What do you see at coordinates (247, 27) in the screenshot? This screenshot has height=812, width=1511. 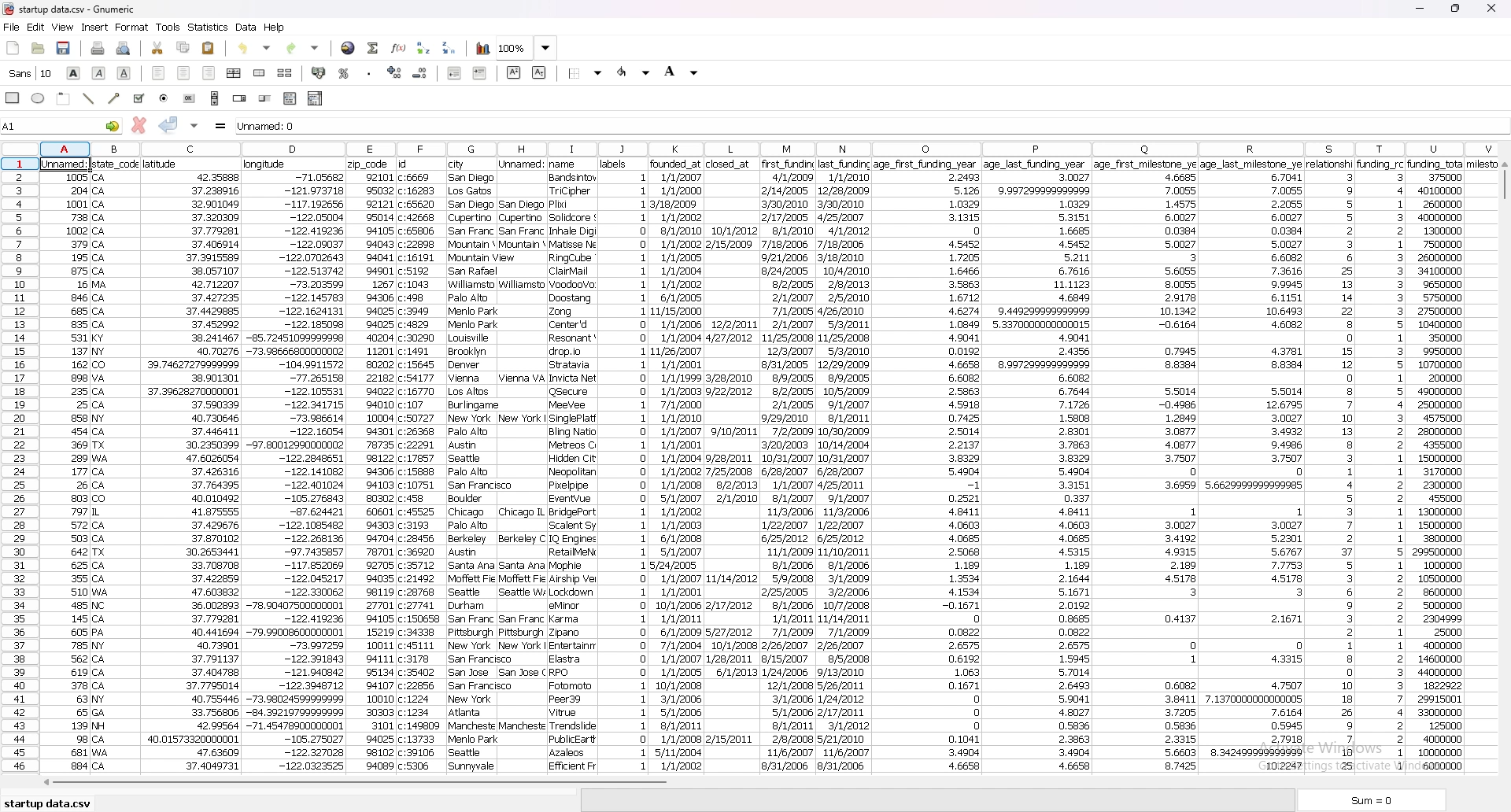 I see `data` at bounding box center [247, 27].